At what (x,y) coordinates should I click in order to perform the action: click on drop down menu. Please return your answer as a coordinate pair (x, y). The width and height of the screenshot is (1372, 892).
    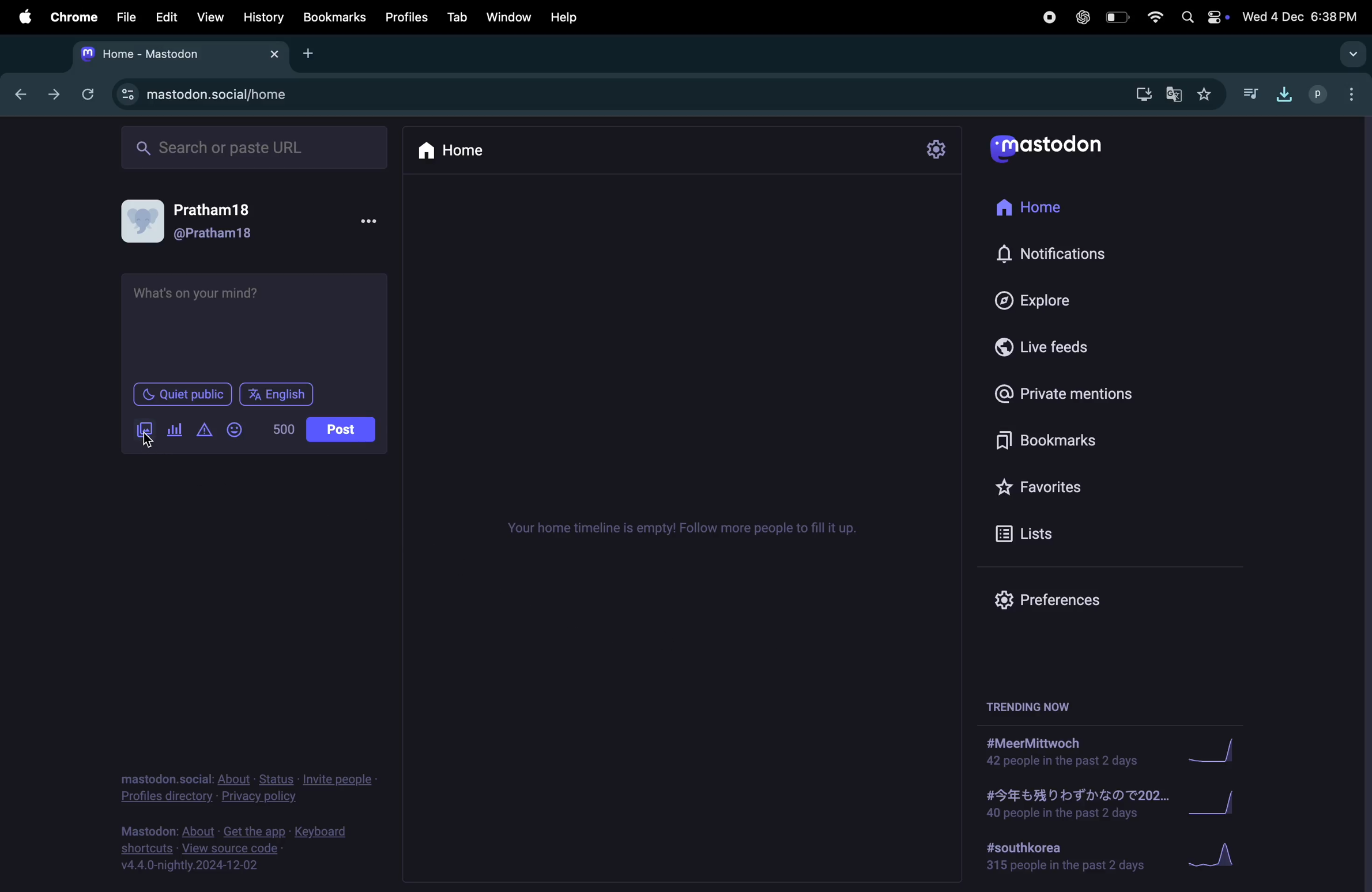
    Looking at the image, I should click on (1354, 54).